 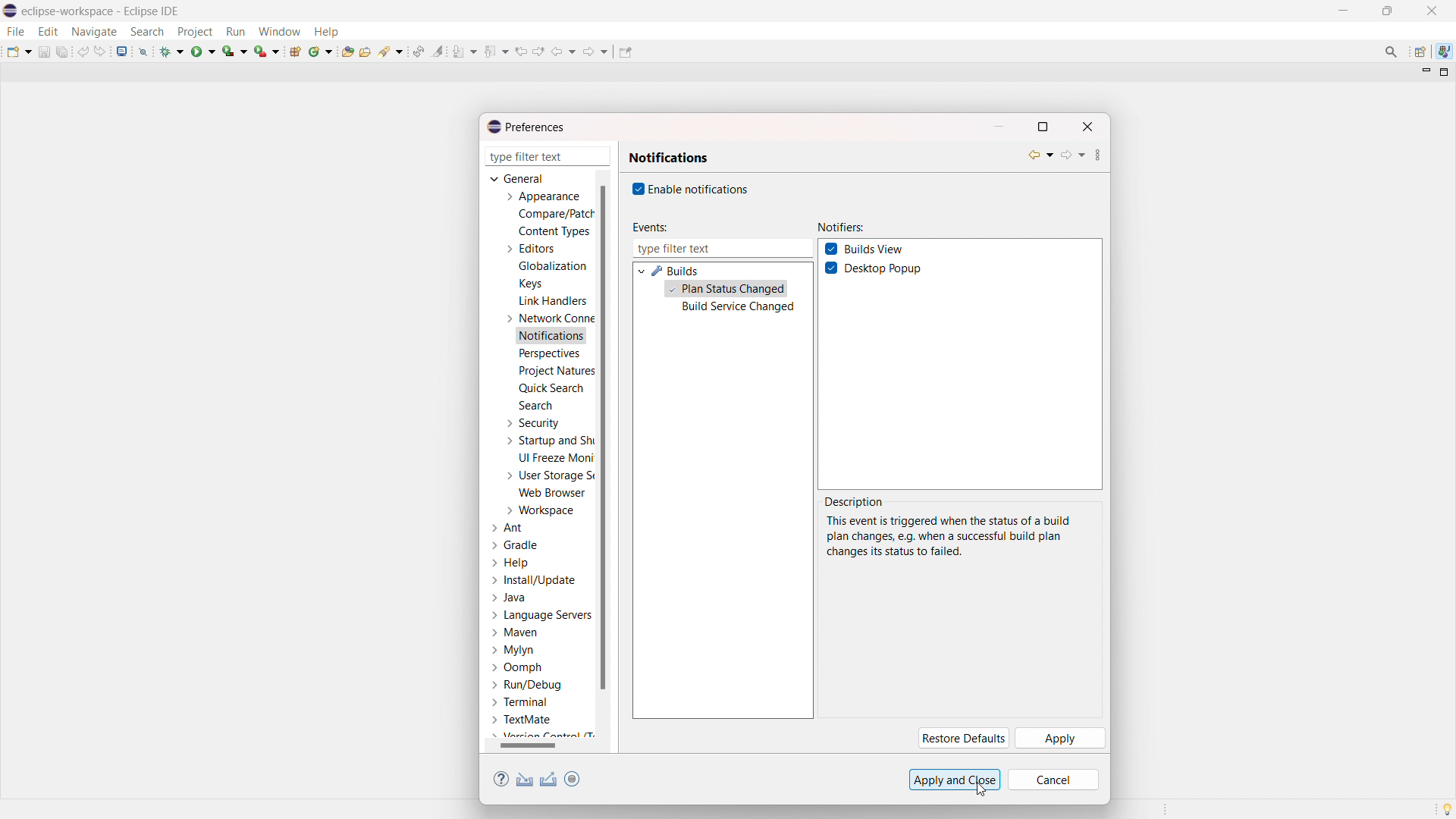 What do you see at coordinates (553, 215) in the screenshot?
I see `compare/patch` at bounding box center [553, 215].